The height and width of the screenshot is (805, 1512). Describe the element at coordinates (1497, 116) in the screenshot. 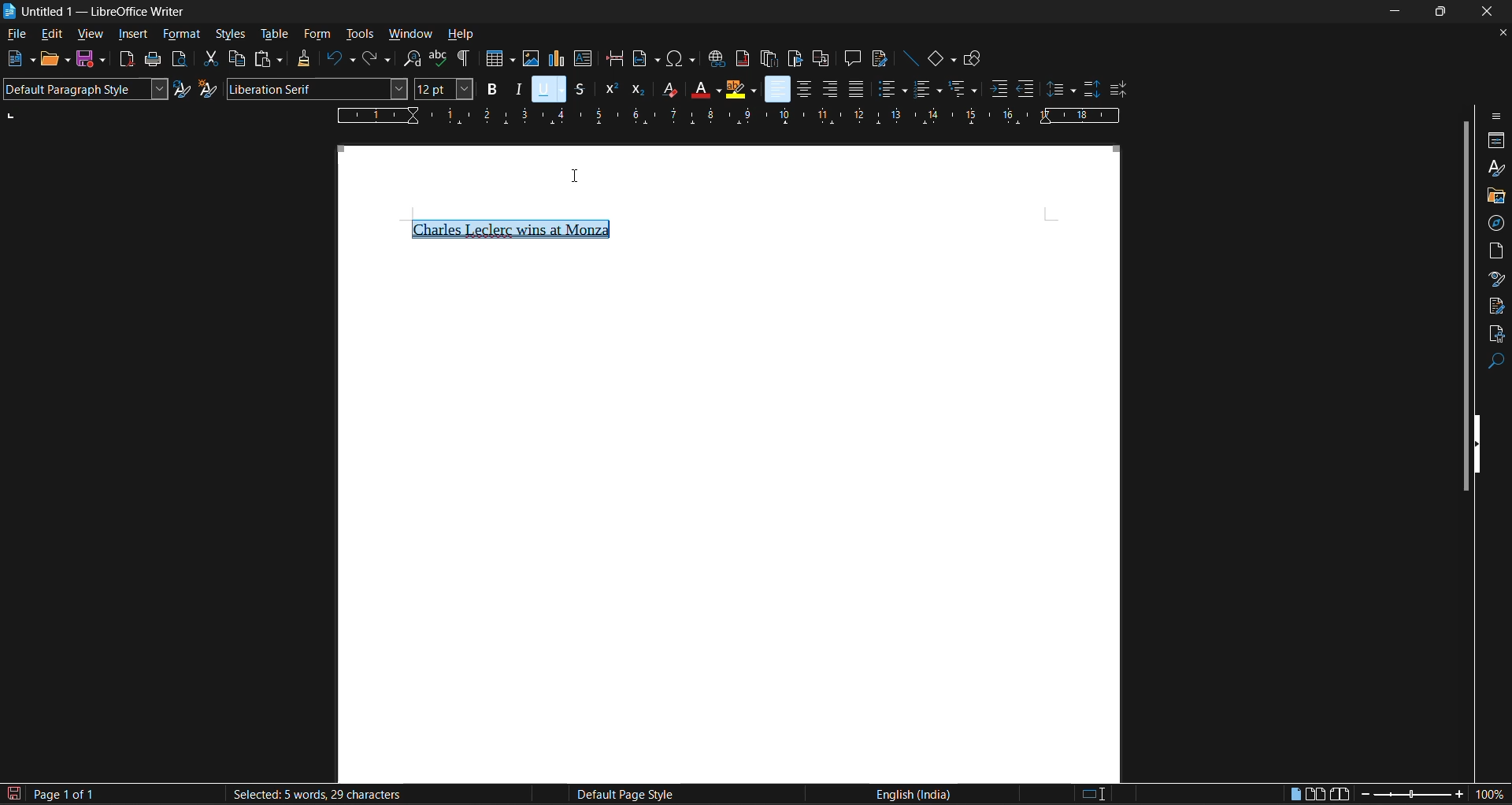

I see `sidebar settings` at that location.